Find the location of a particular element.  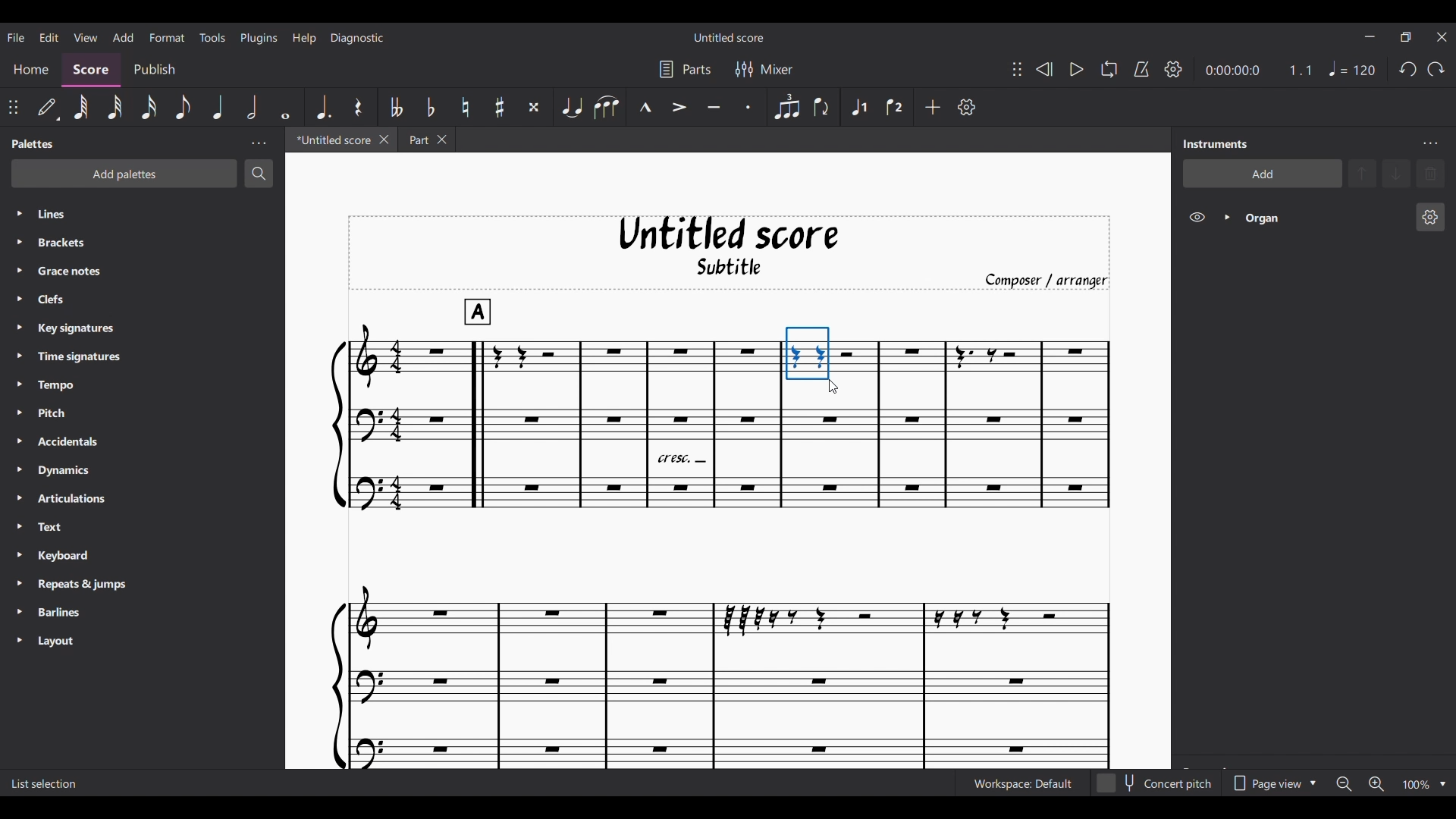

Home section is located at coordinates (31, 68).